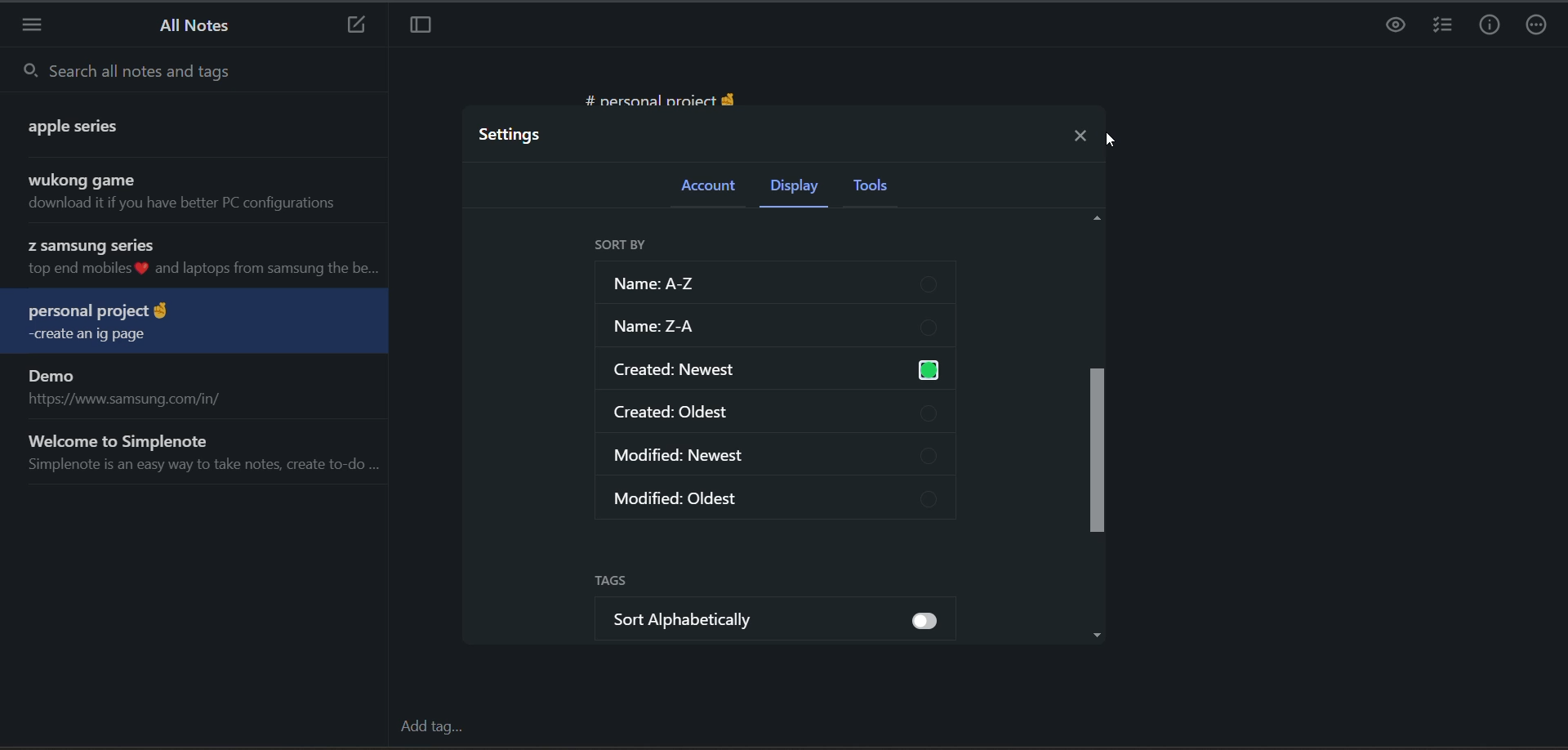 The height and width of the screenshot is (750, 1568). What do you see at coordinates (711, 190) in the screenshot?
I see `account` at bounding box center [711, 190].